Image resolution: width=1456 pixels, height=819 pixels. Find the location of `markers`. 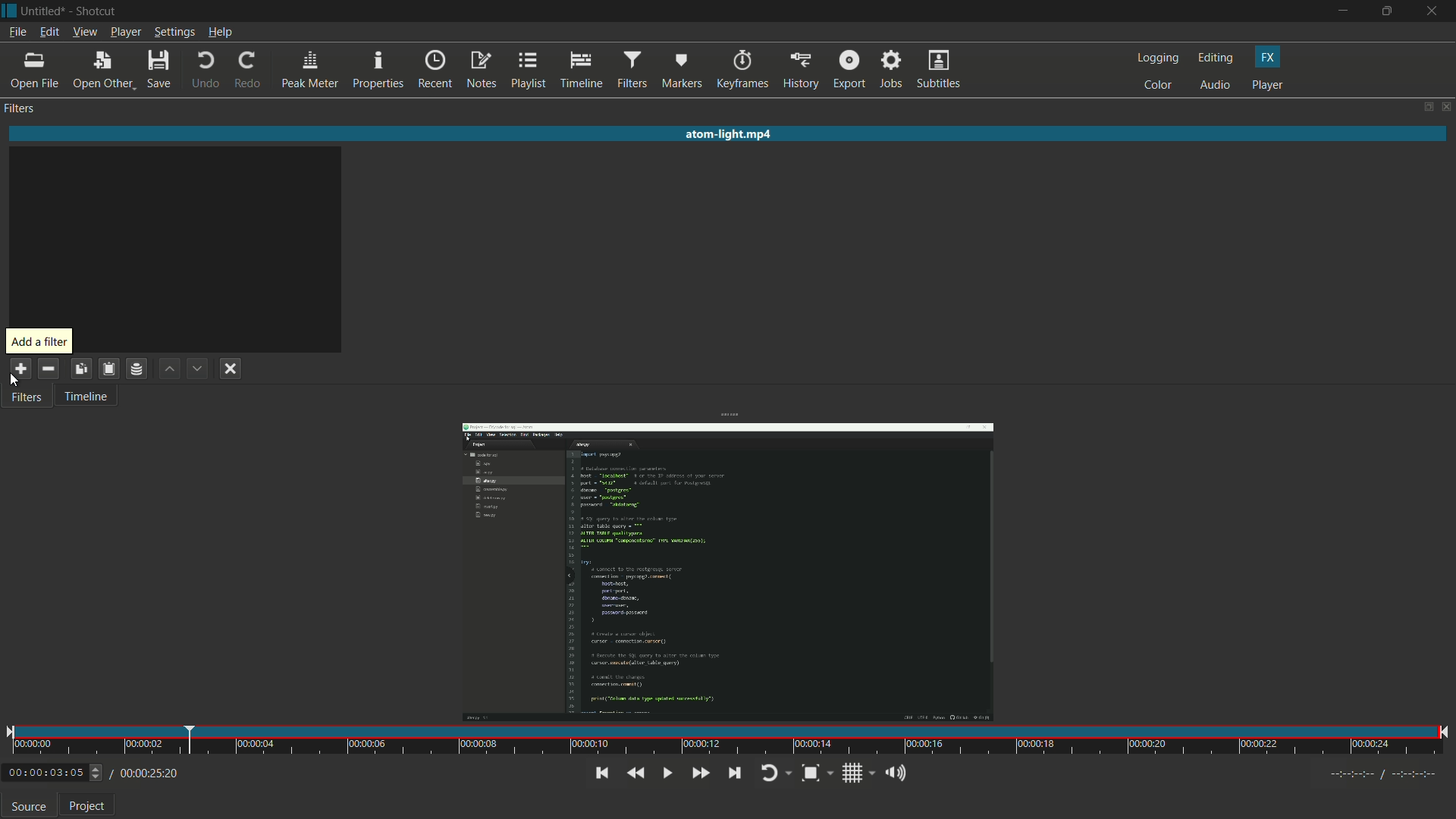

markers is located at coordinates (683, 71).